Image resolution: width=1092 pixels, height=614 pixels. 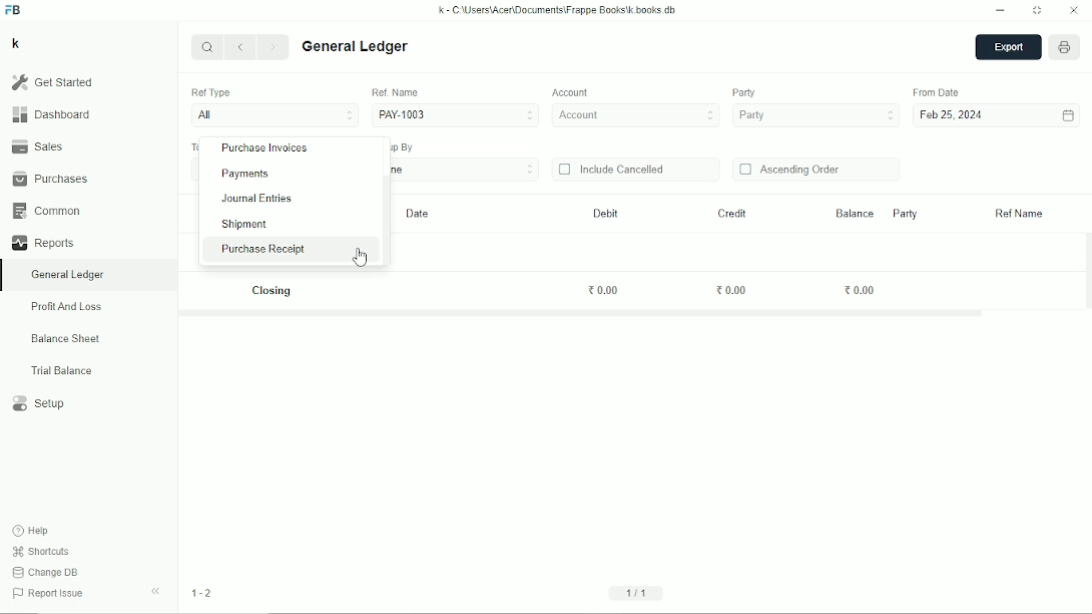 What do you see at coordinates (611, 169) in the screenshot?
I see `Include cancelled` at bounding box center [611, 169].